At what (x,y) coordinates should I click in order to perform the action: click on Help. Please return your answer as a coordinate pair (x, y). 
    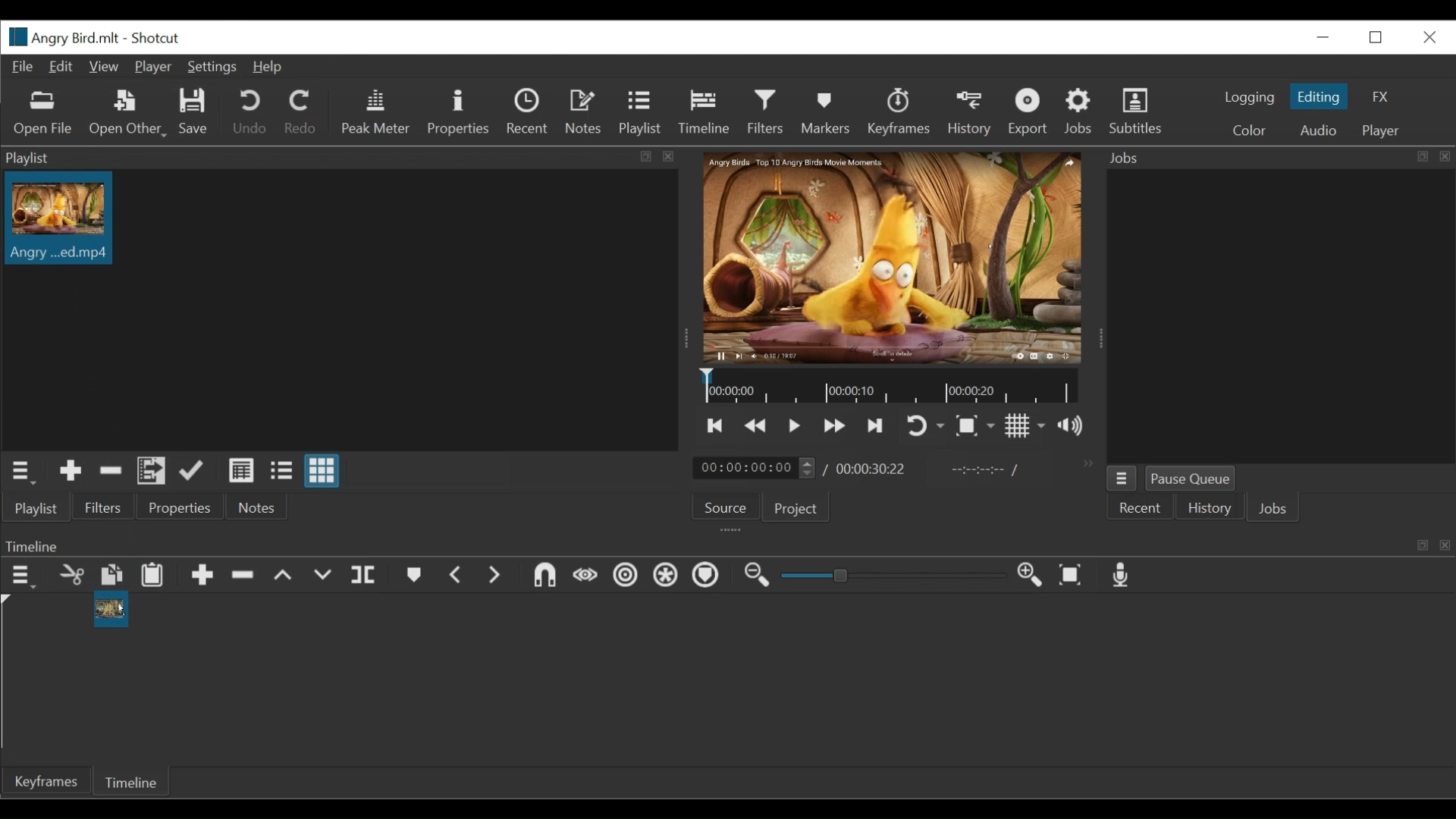
    Looking at the image, I should click on (269, 66).